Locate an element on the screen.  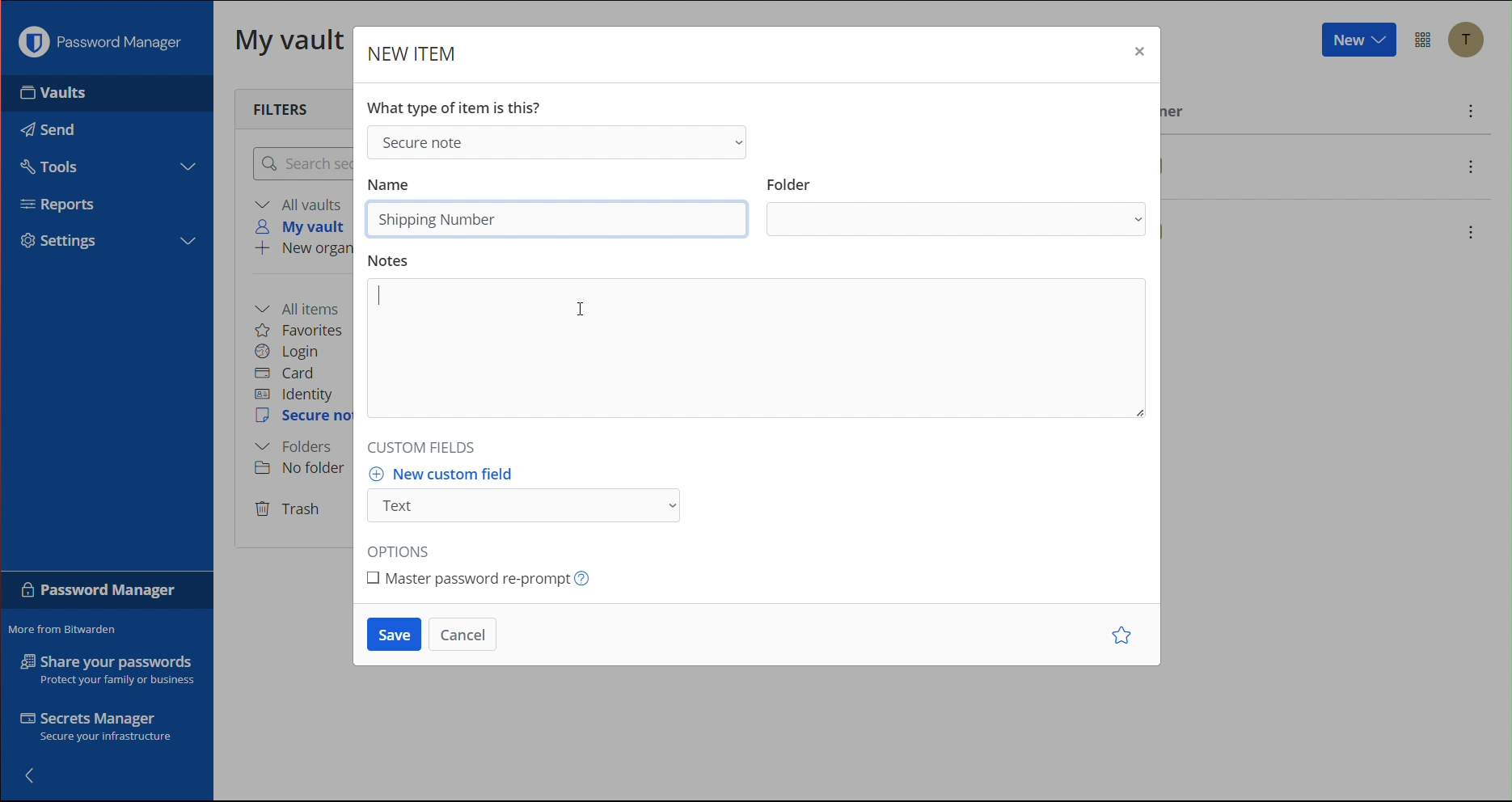
Account is located at coordinates (1469, 40).